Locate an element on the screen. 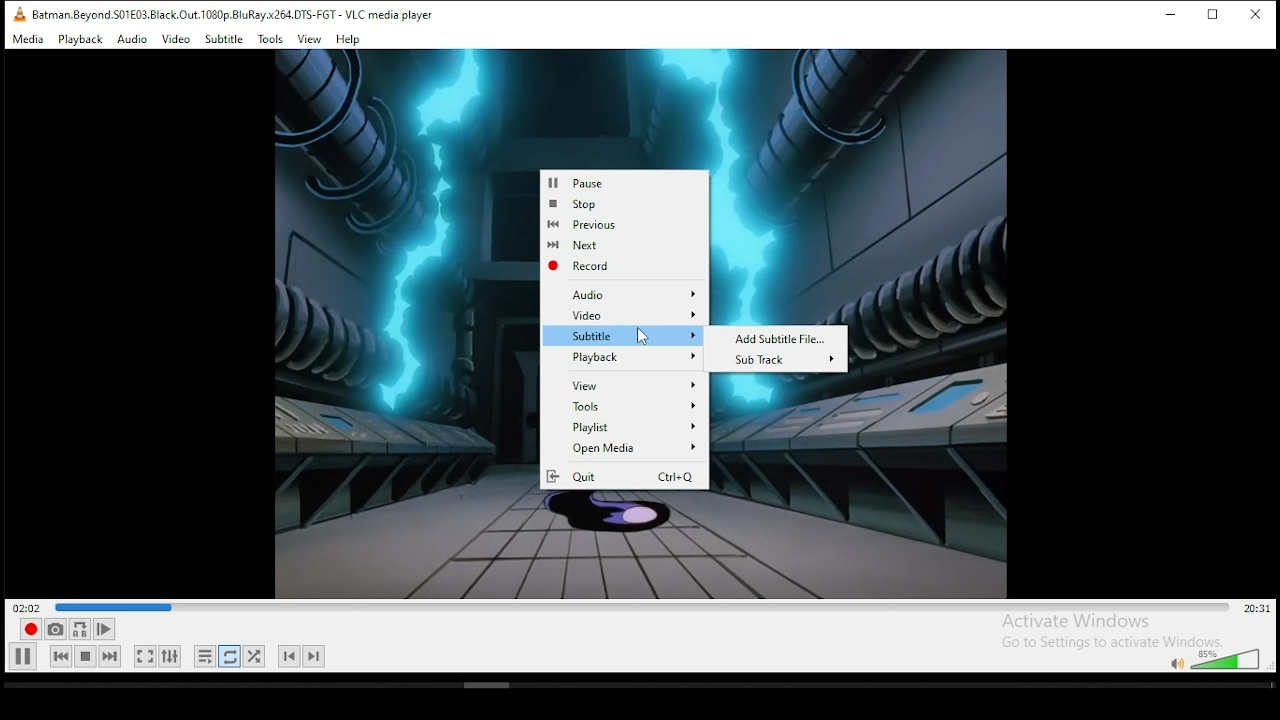  Next is located at coordinates (620, 246).